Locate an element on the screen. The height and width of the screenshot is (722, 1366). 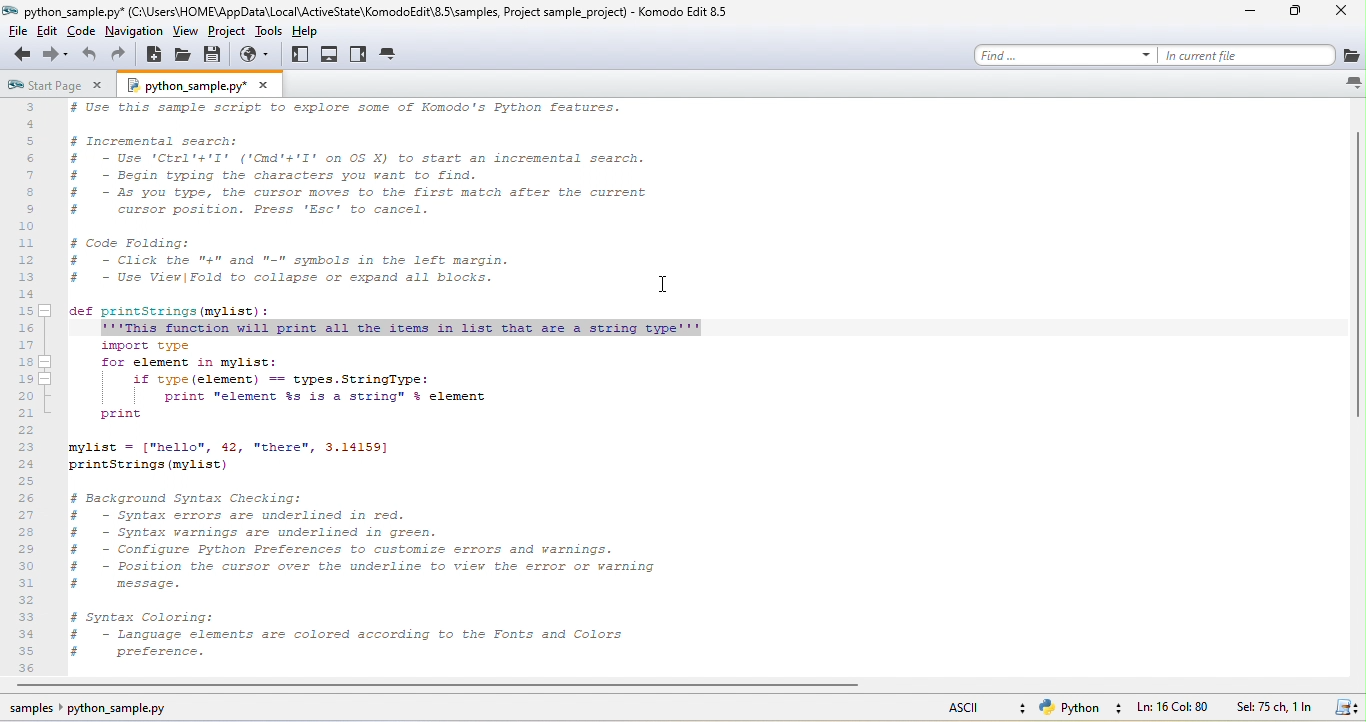
python is located at coordinates (1078, 710).